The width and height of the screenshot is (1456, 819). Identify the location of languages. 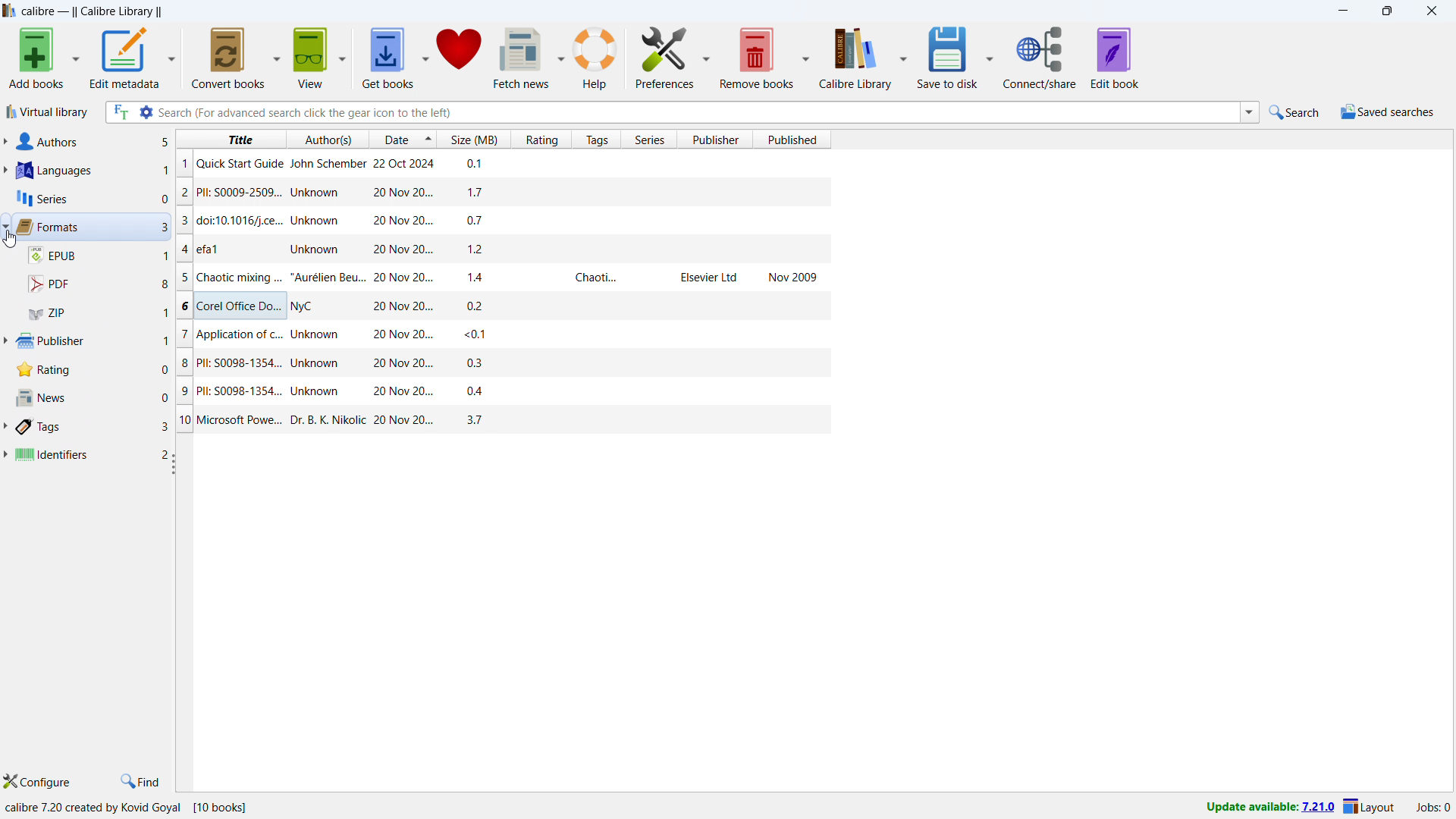
(92, 170).